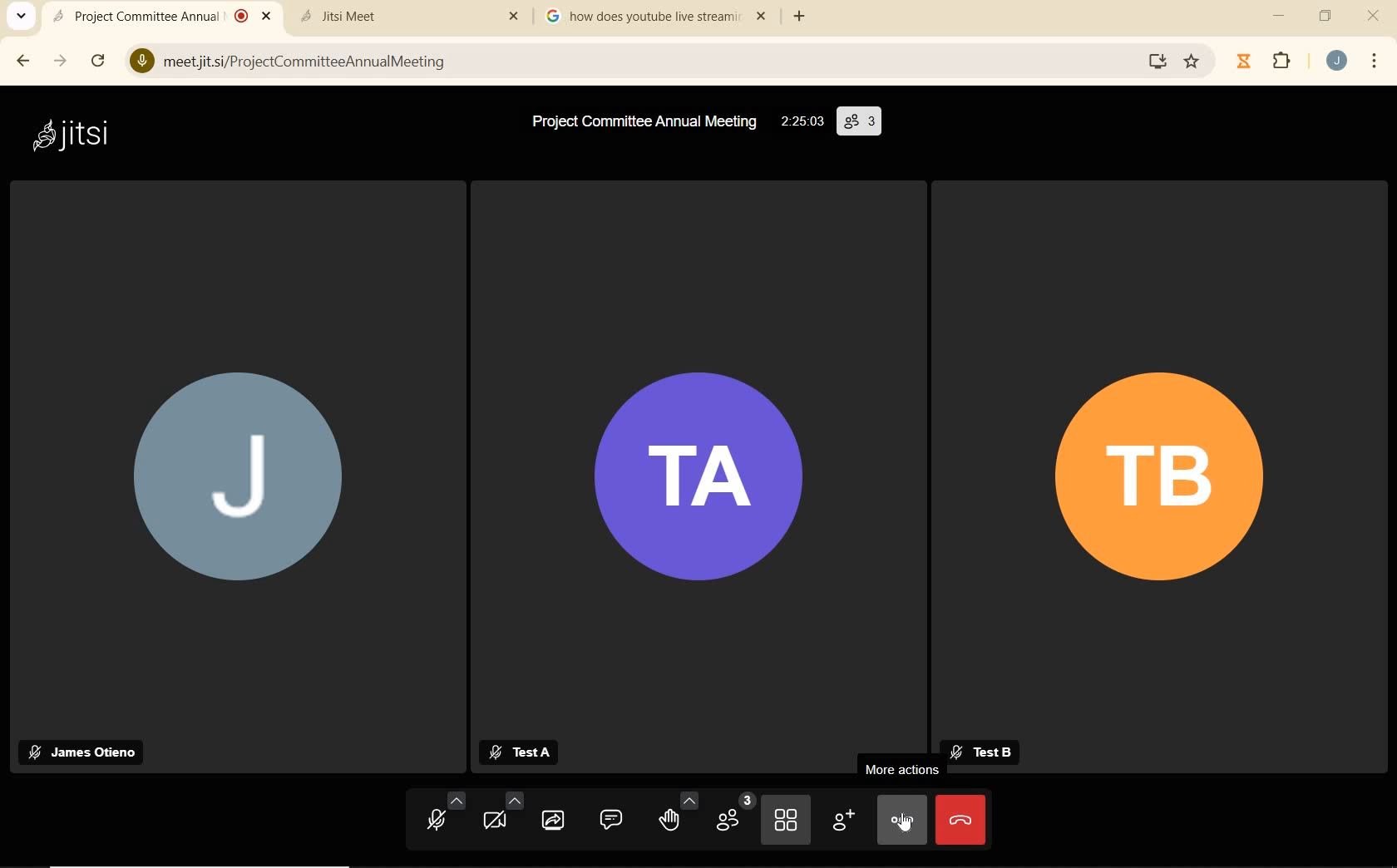  What do you see at coordinates (613, 821) in the screenshot?
I see `open chat` at bounding box center [613, 821].